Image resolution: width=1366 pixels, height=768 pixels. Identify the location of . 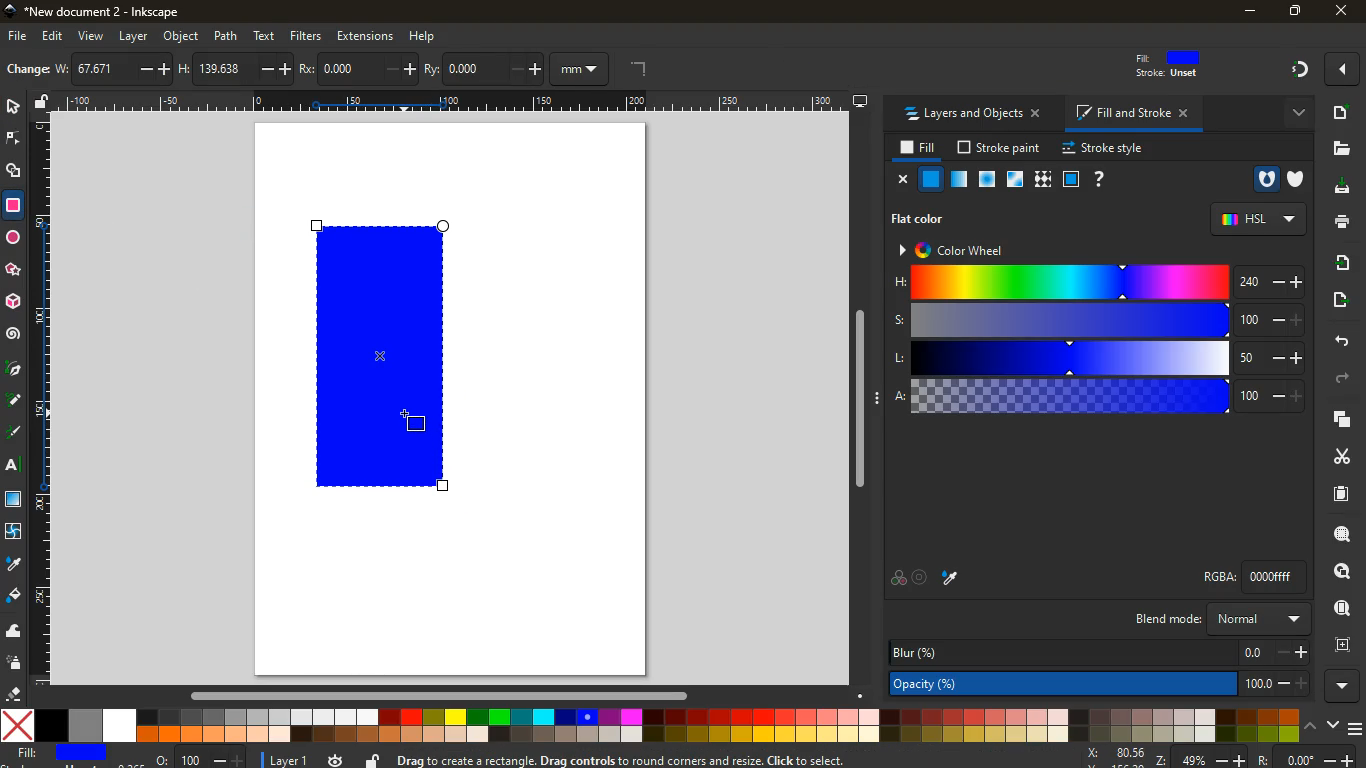
(13, 240).